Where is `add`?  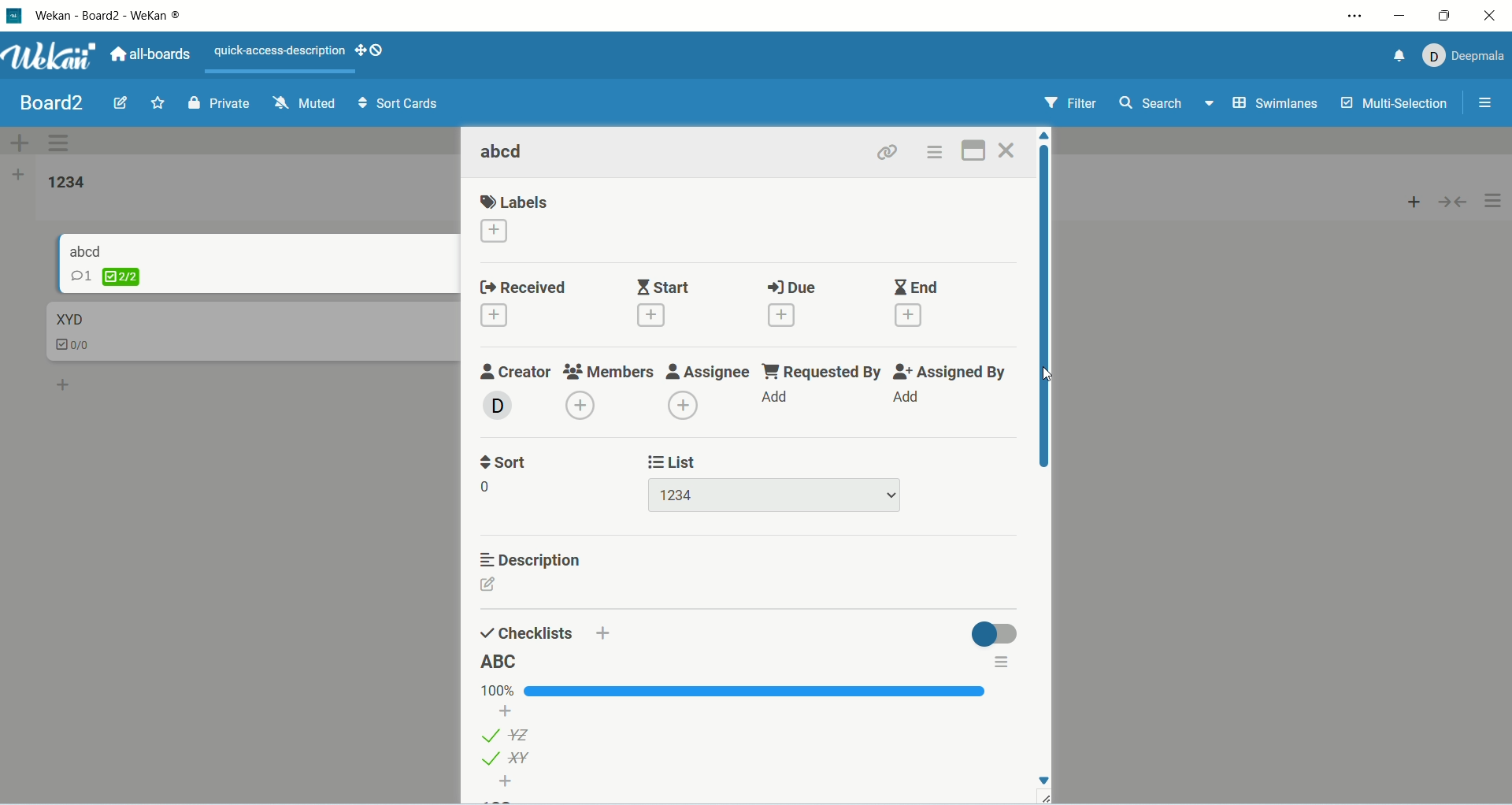
add is located at coordinates (906, 396).